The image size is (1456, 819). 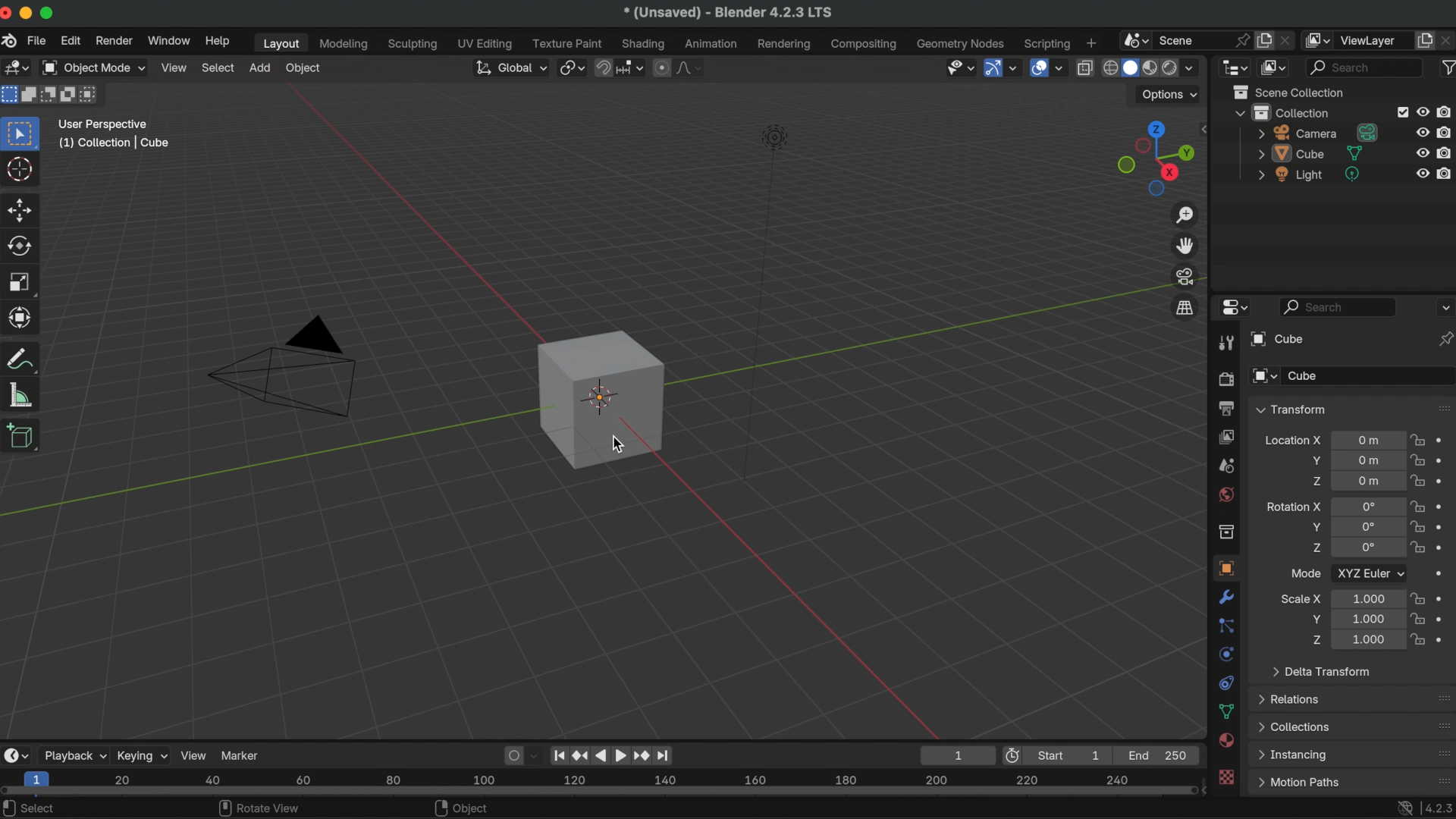 What do you see at coordinates (1292, 698) in the screenshot?
I see `relations` at bounding box center [1292, 698].